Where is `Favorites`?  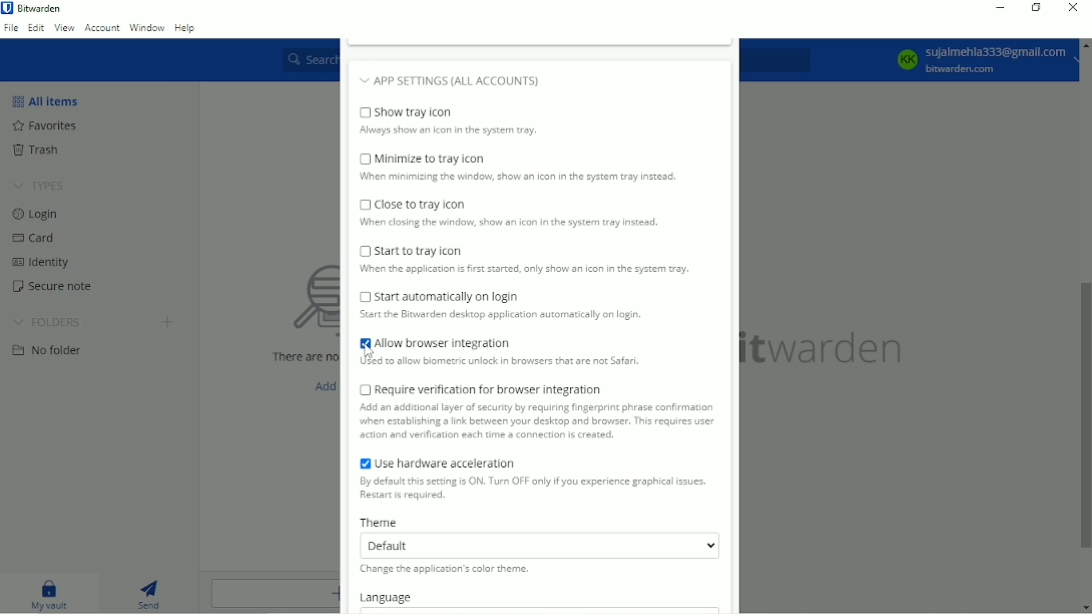
Favorites is located at coordinates (44, 125).